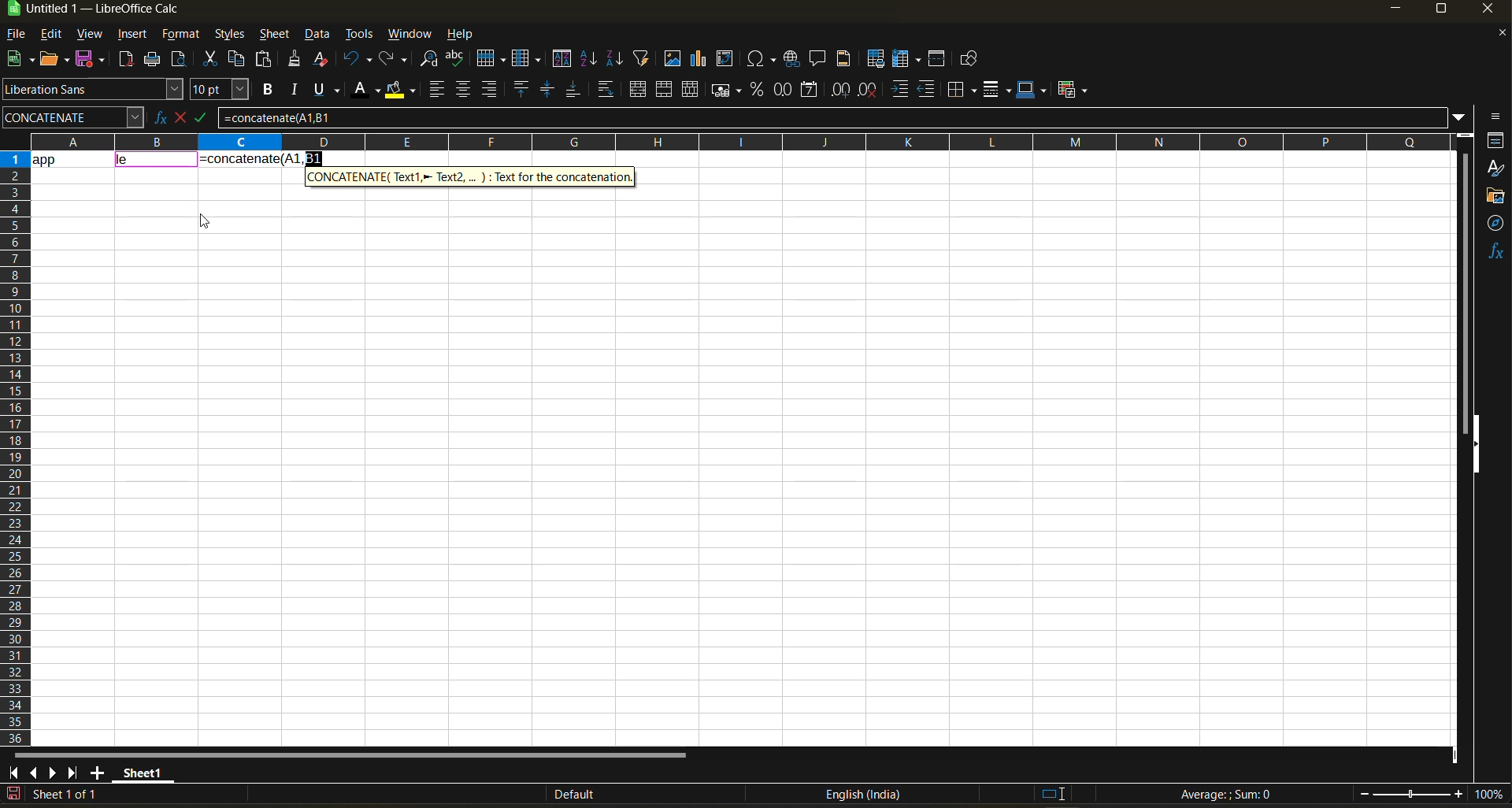  I want to click on add decimal place, so click(840, 91).